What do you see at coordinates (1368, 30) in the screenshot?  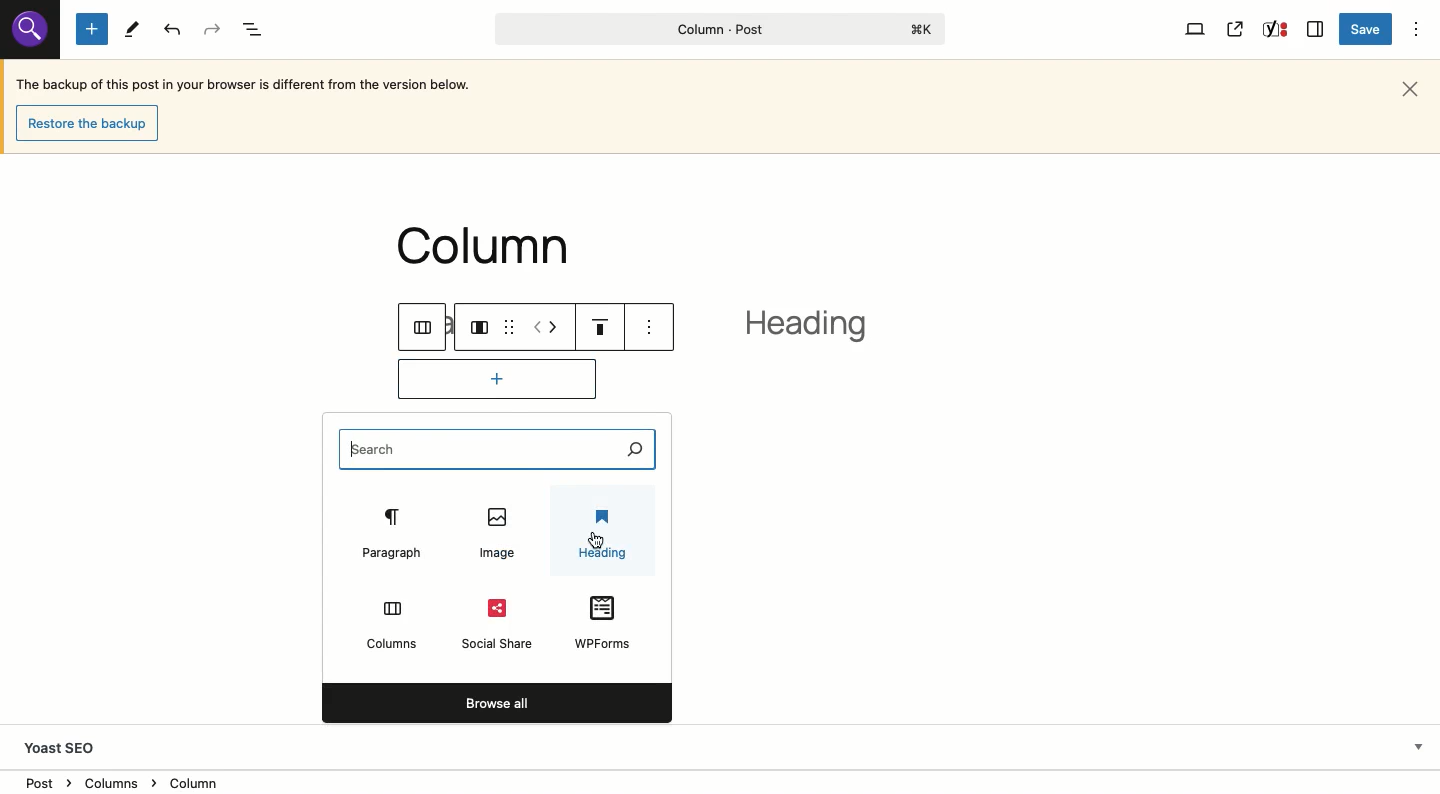 I see `Save` at bounding box center [1368, 30].